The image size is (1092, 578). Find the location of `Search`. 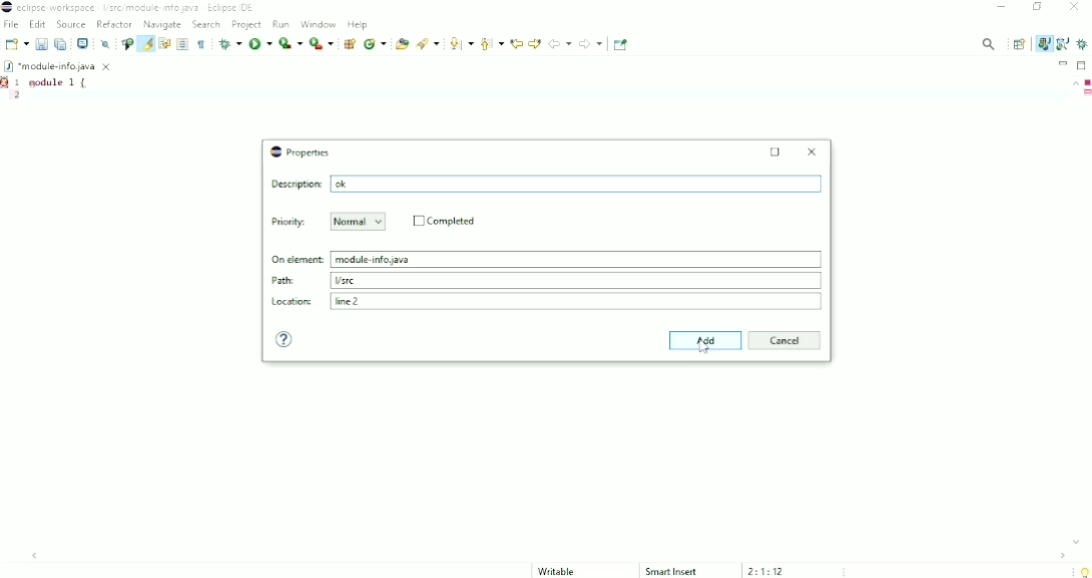

Search is located at coordinates (207, 25).